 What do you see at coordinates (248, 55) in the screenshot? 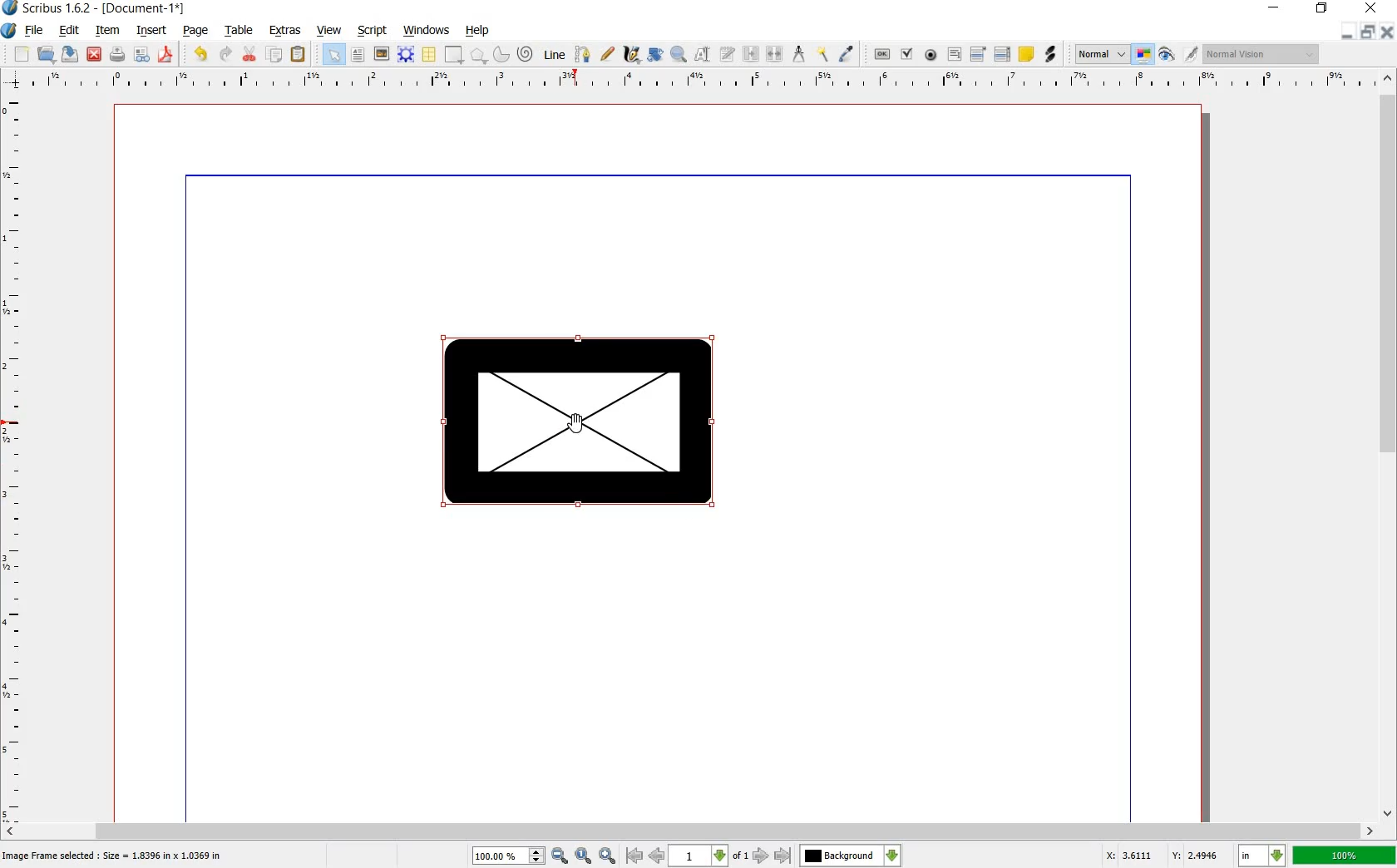
I see `cut` at bounding box center [248, 55].